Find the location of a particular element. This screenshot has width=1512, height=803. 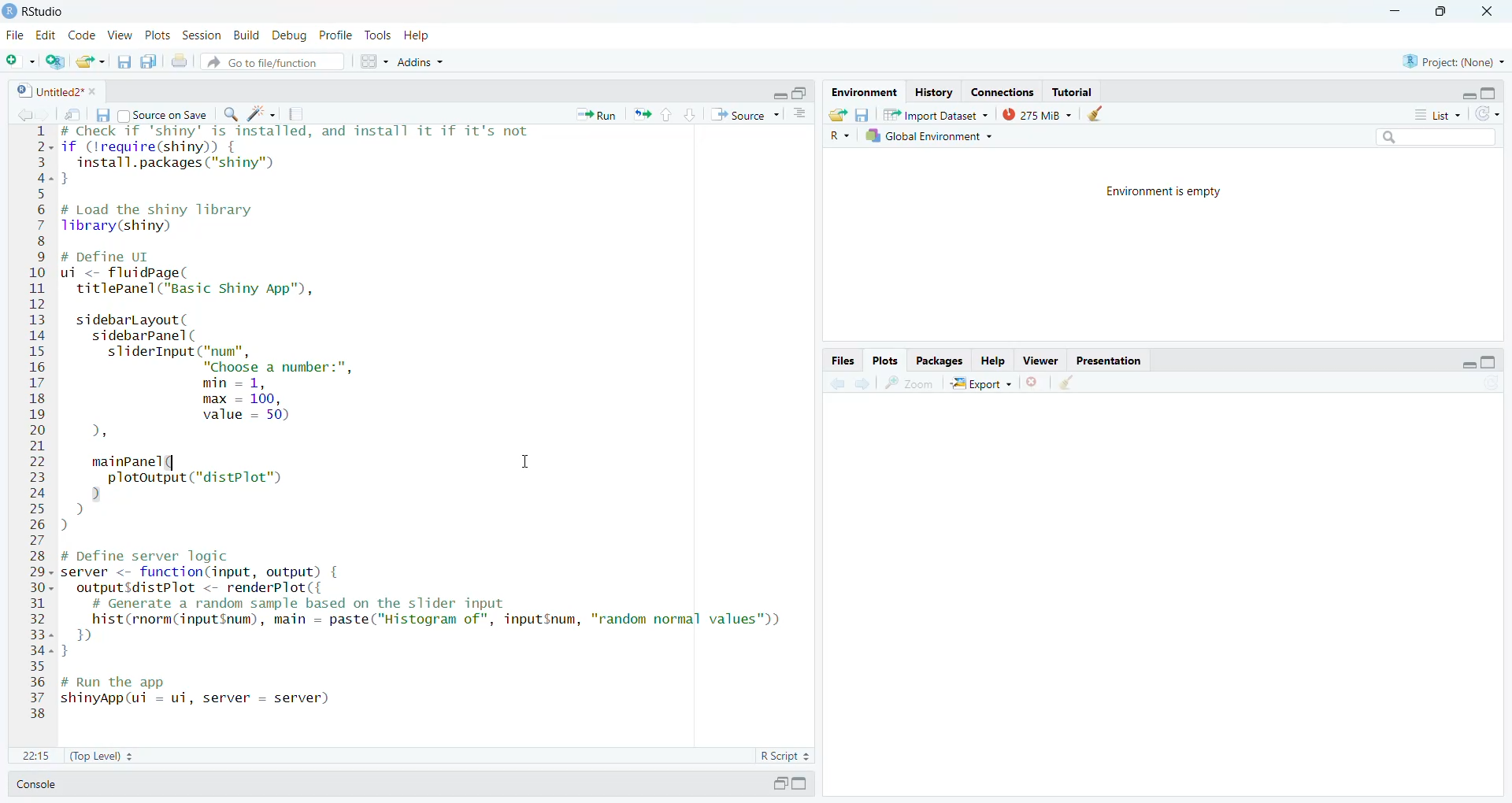

Project(None) is located at coordinates (1455, 61).